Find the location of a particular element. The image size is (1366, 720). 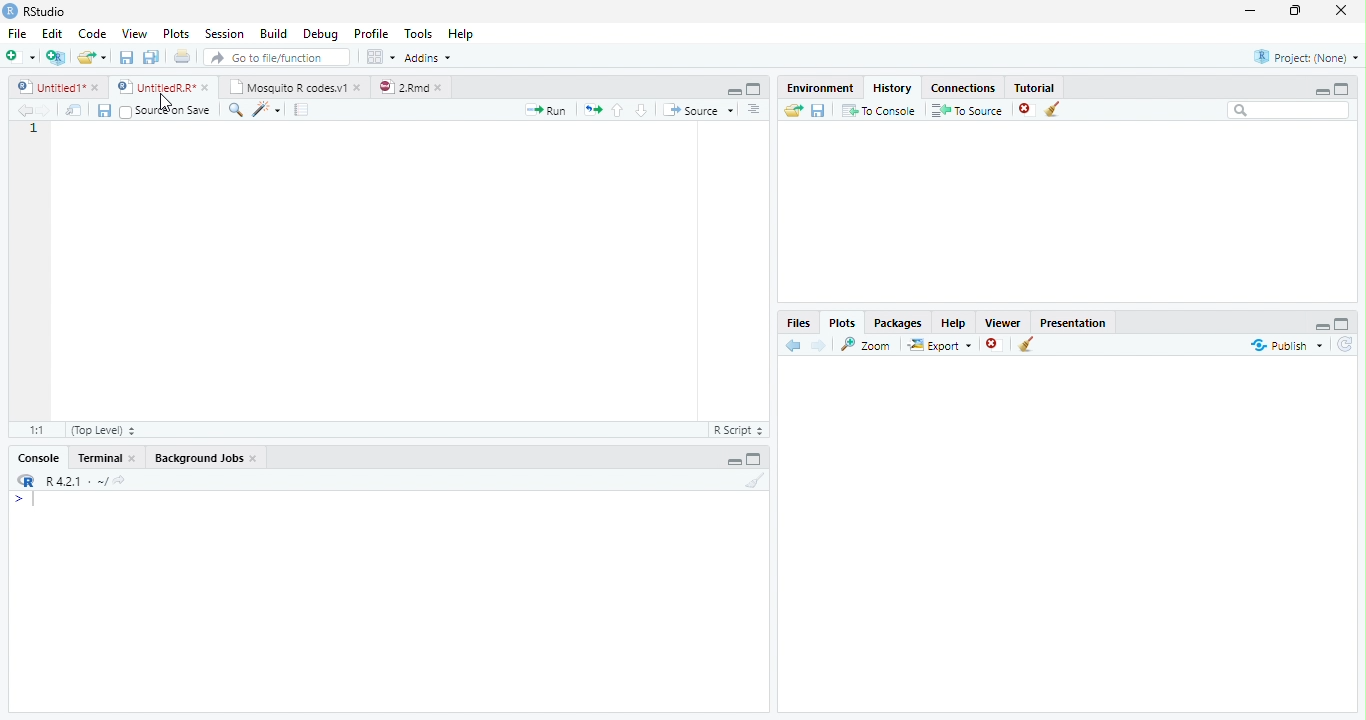

Source is located at coordinates (698, 111).